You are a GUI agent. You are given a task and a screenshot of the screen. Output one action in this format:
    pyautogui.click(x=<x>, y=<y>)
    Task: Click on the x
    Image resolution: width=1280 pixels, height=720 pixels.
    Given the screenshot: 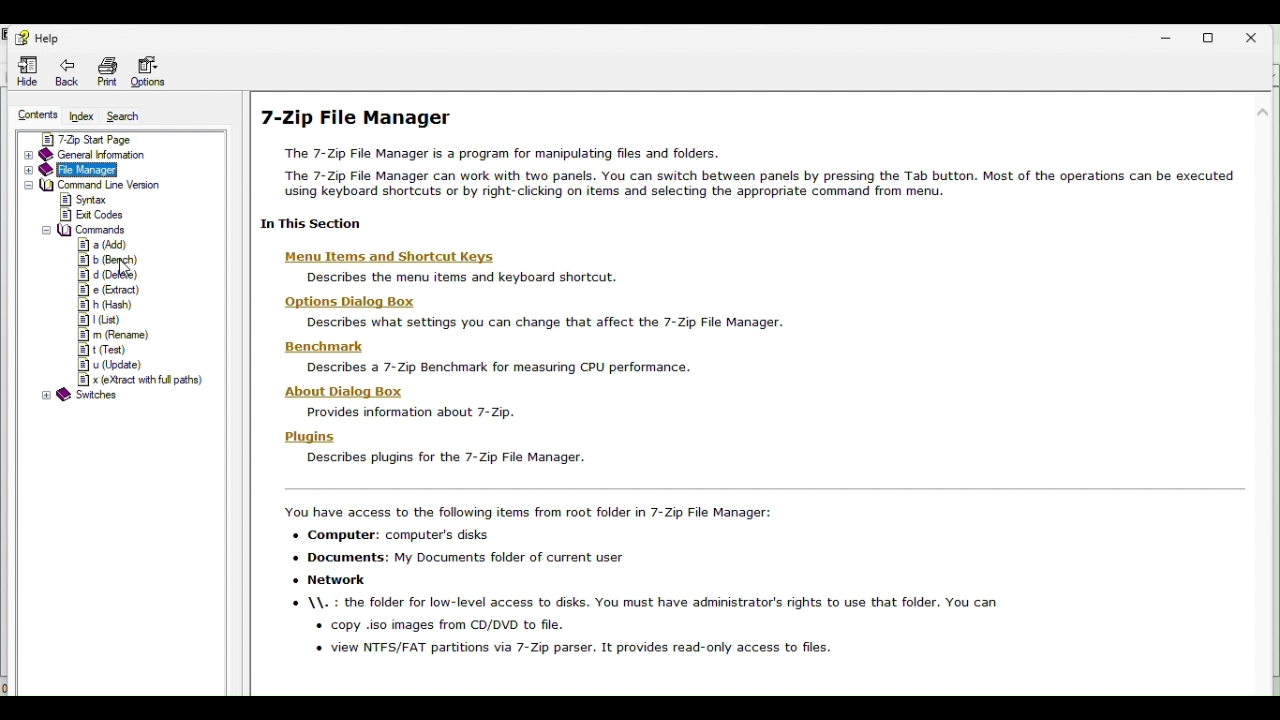 What is the action you would take?
    pyautogui.click(x=145, y=381)
    